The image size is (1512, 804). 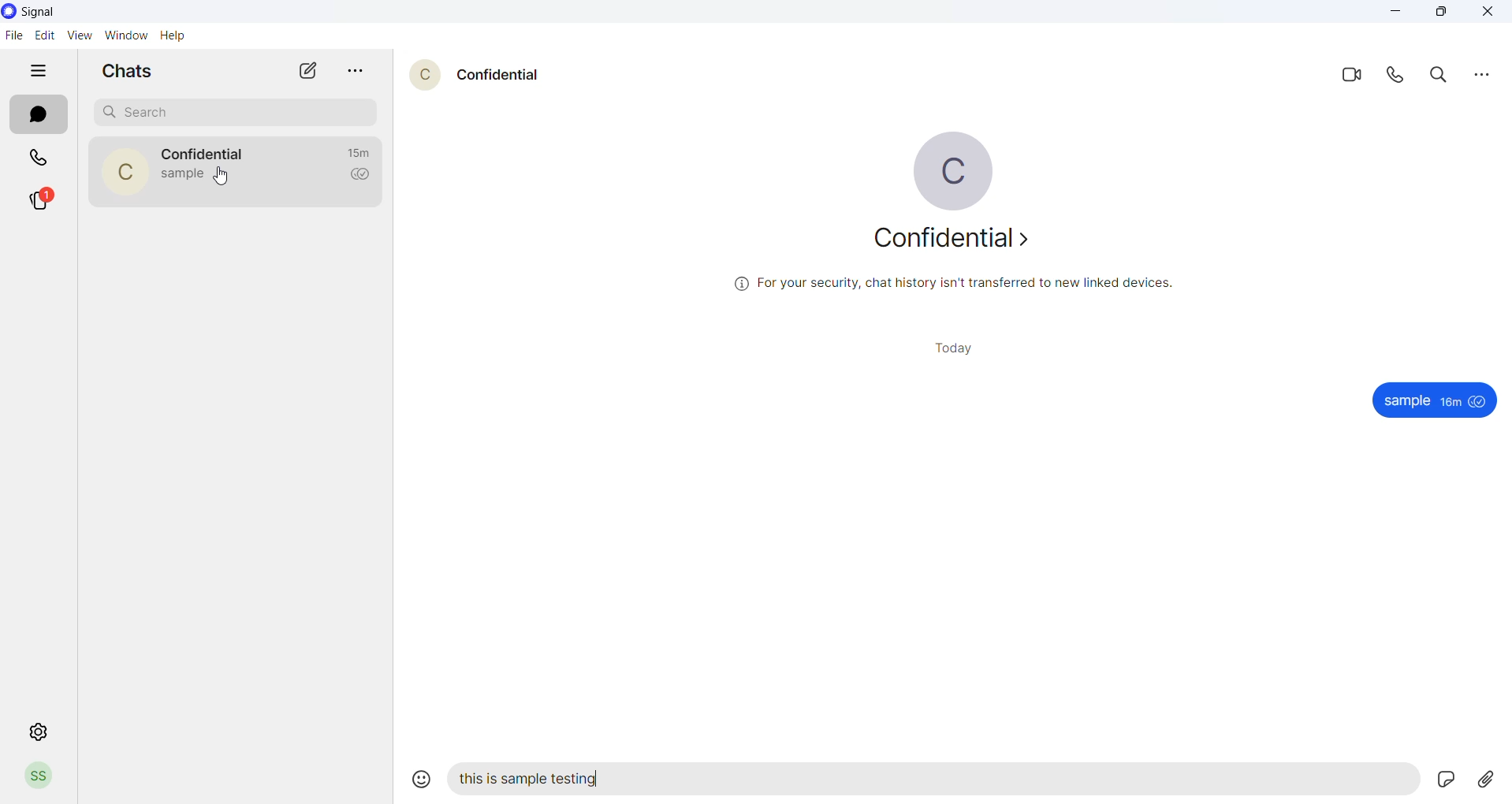 What do you see at coordinates (962, 348) in the screenshot?
I see `today ` at bounding box center [962, 348].